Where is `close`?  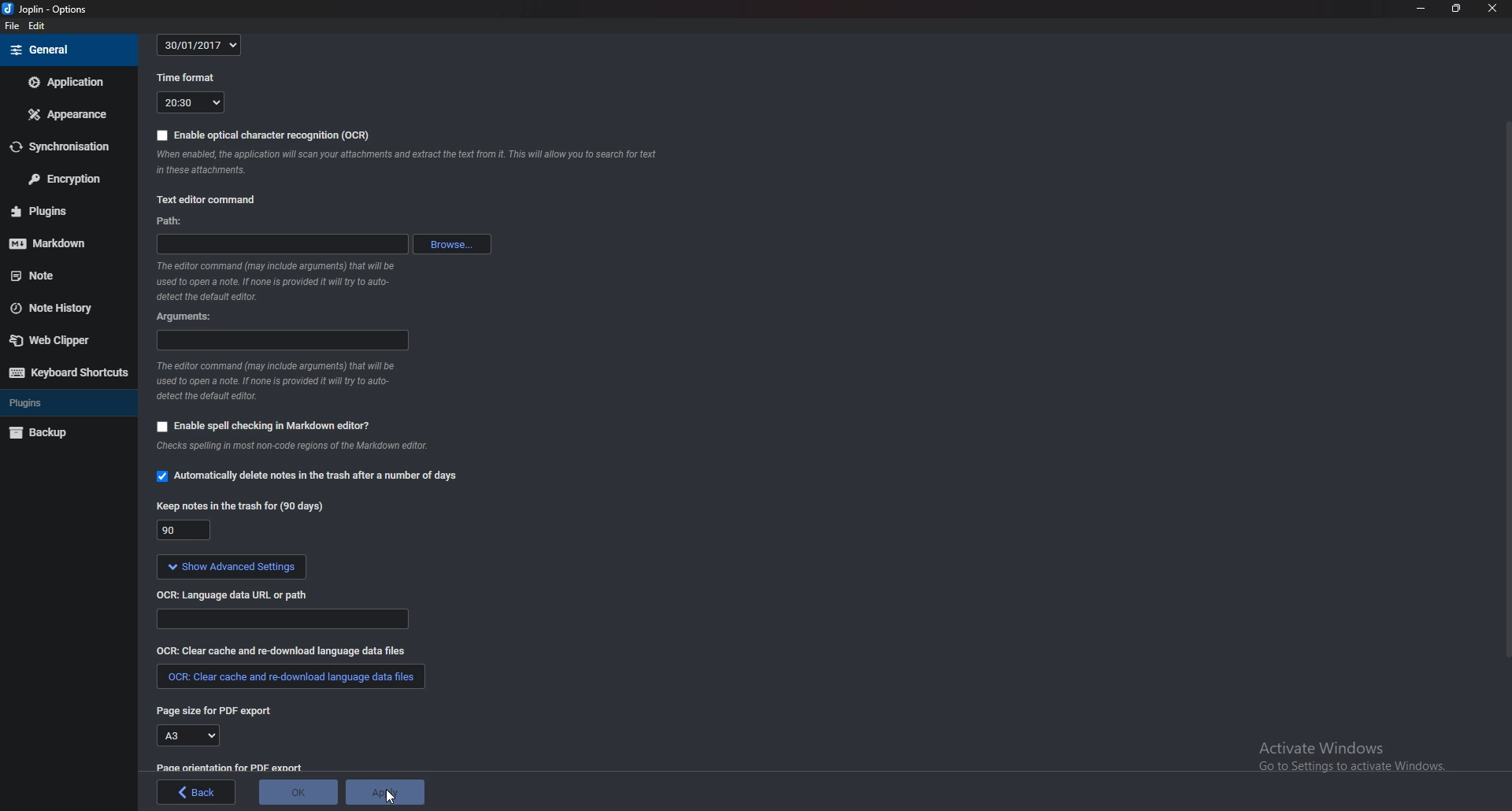
close is located at coordinates (1492, 9).